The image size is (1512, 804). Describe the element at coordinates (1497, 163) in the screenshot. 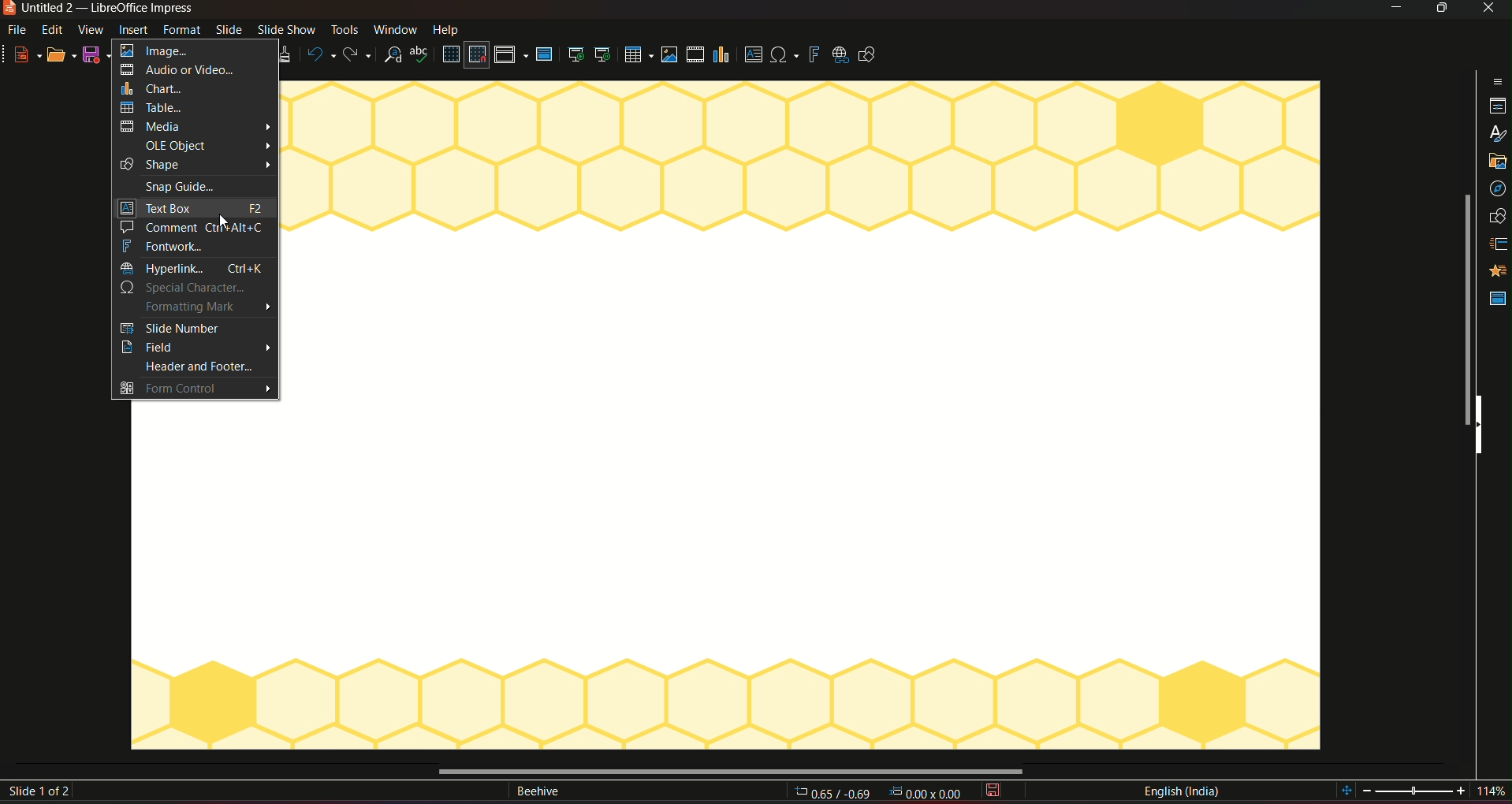

I see `gallery` at that location.